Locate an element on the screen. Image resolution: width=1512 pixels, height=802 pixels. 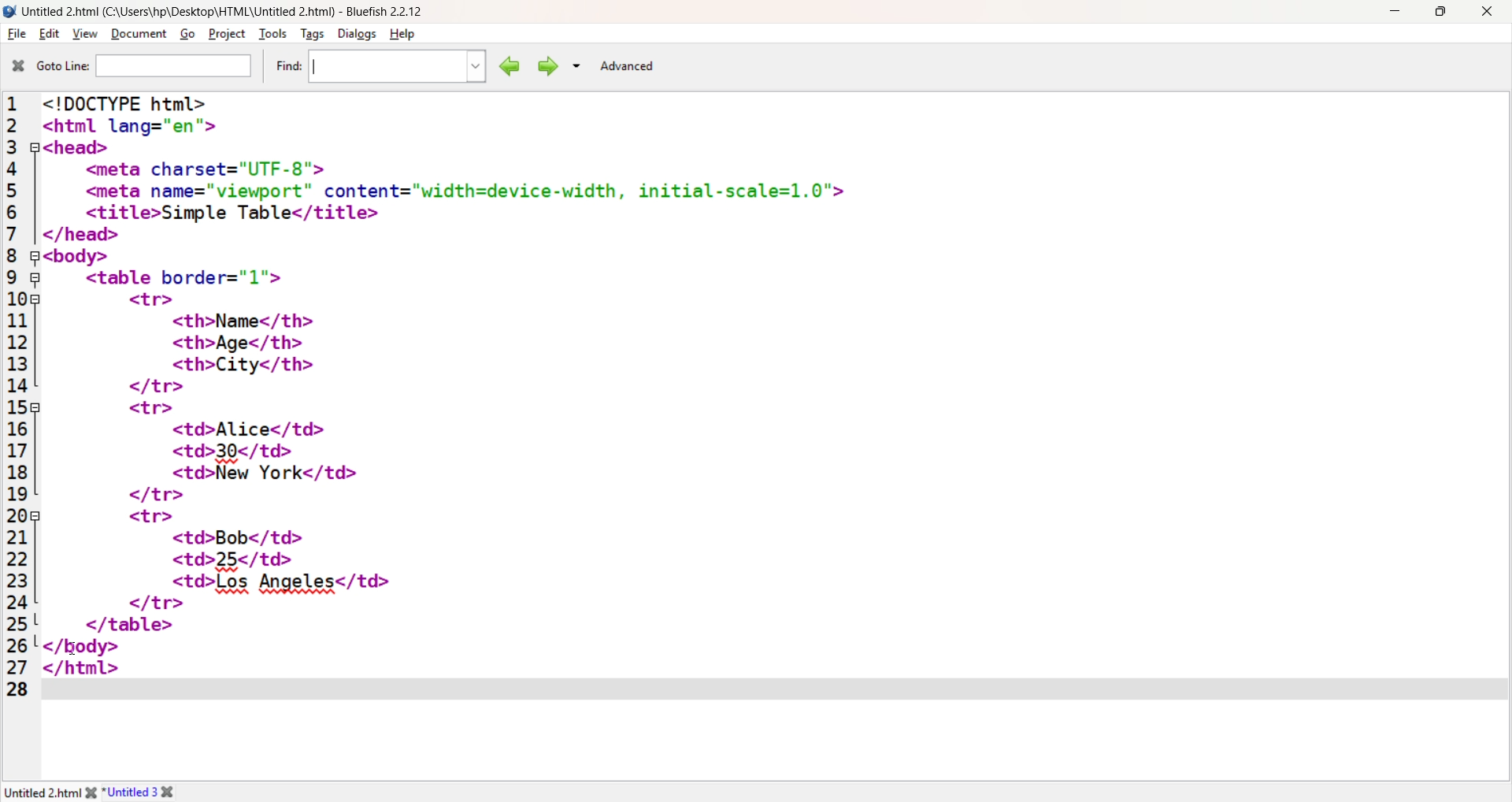
close file 2 is located at coordinates (174, 792).